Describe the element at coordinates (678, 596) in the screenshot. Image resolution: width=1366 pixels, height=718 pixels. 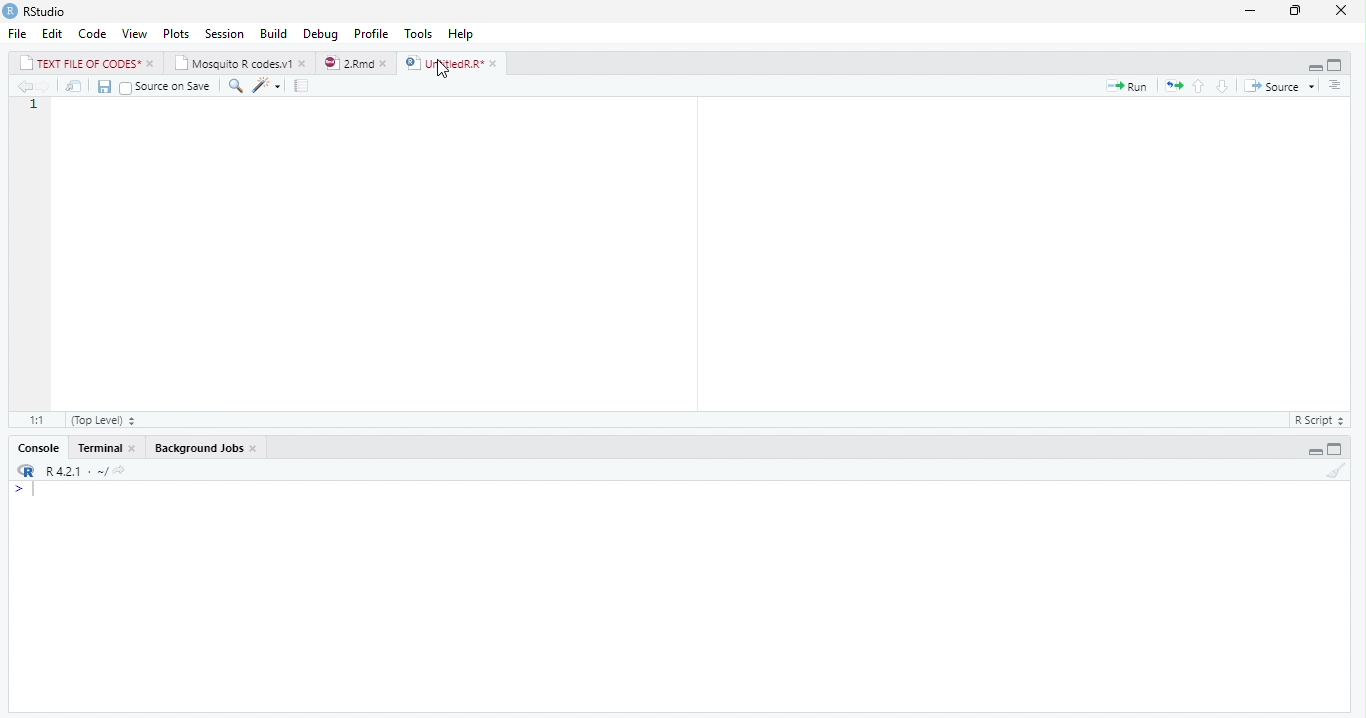
I see `Console` at that location.